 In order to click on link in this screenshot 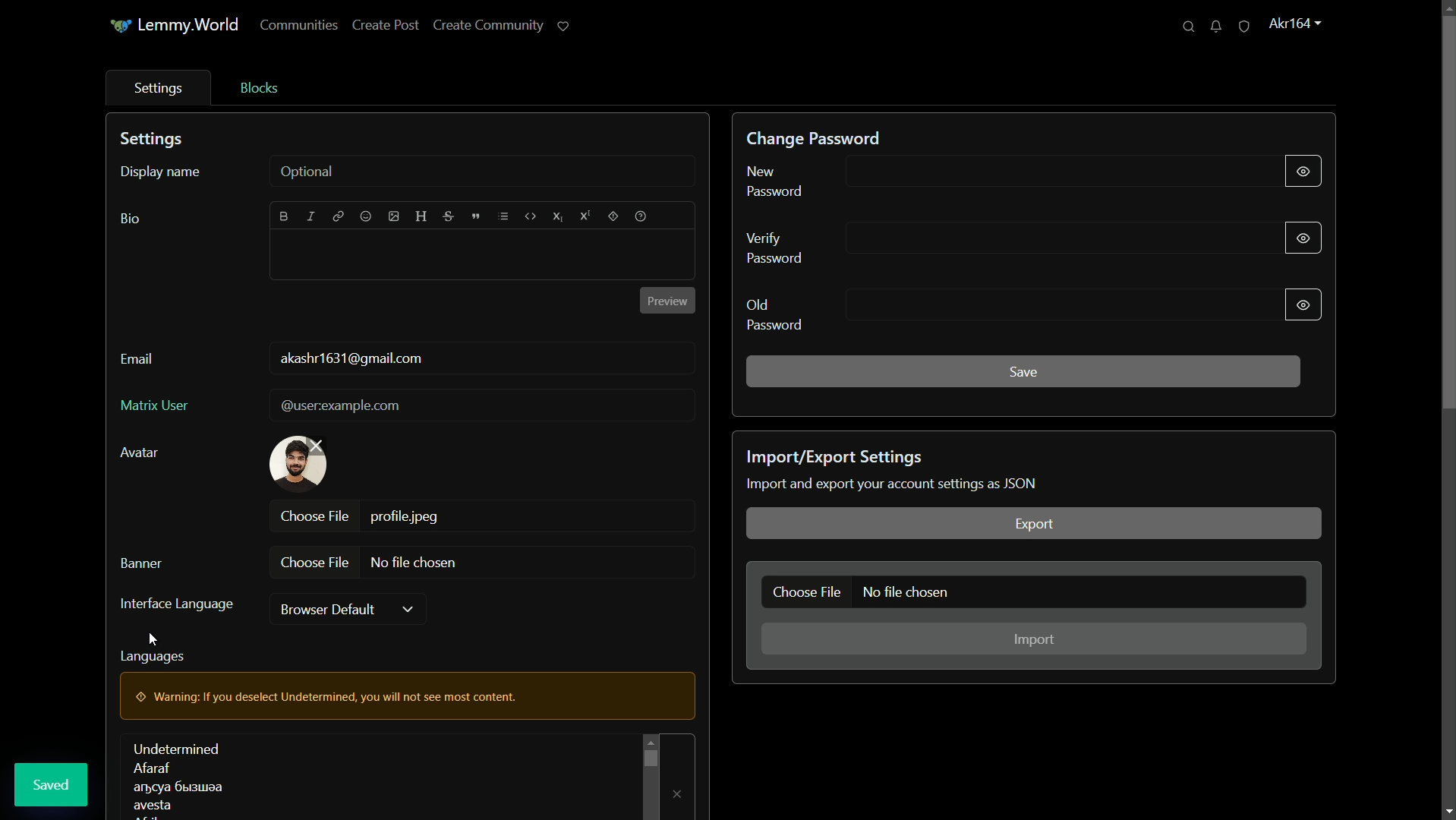, I will do `click(338, 218)`.